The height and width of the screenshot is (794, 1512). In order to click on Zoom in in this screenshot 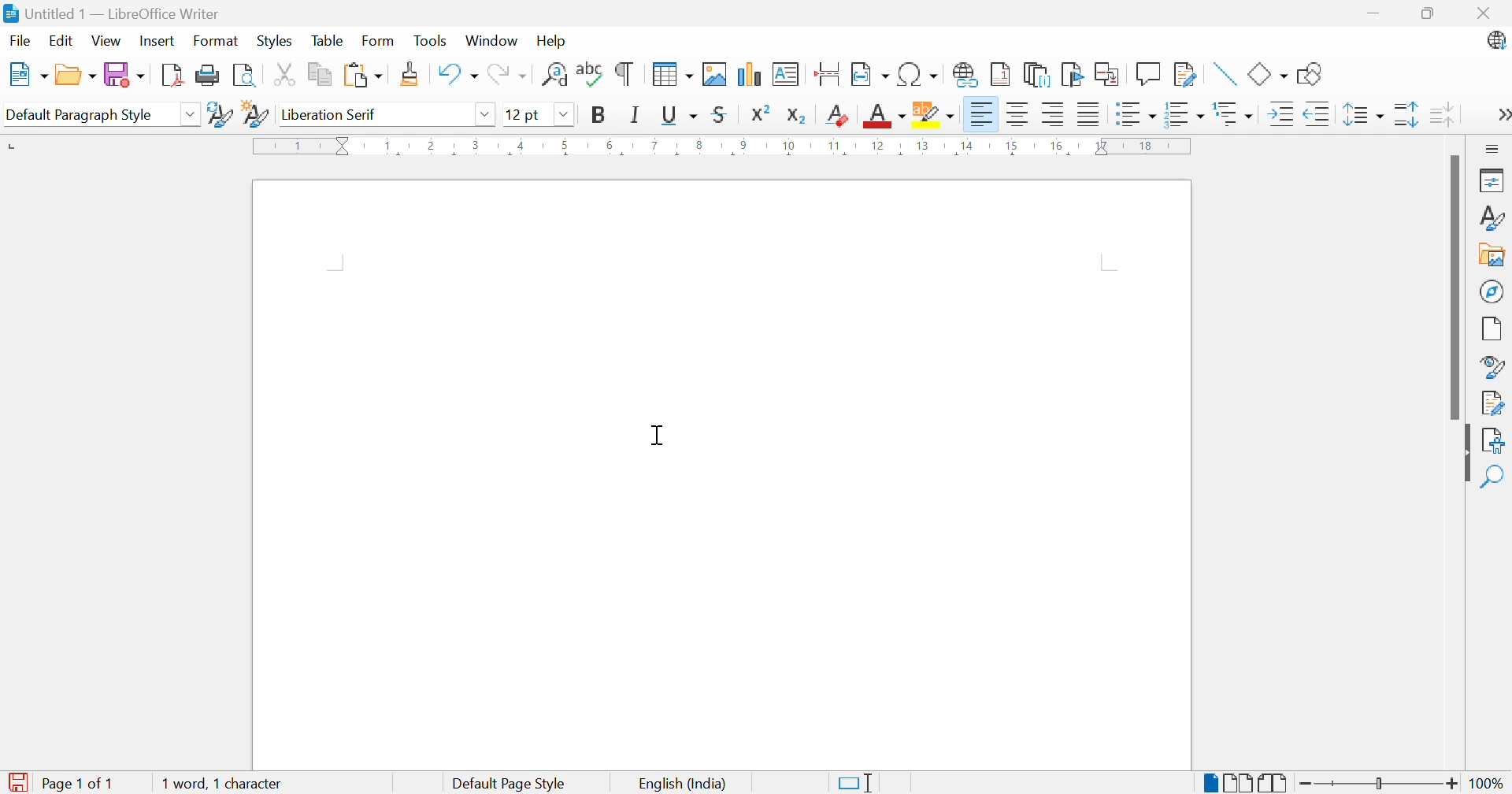, I will do `click(1453, 784)`.